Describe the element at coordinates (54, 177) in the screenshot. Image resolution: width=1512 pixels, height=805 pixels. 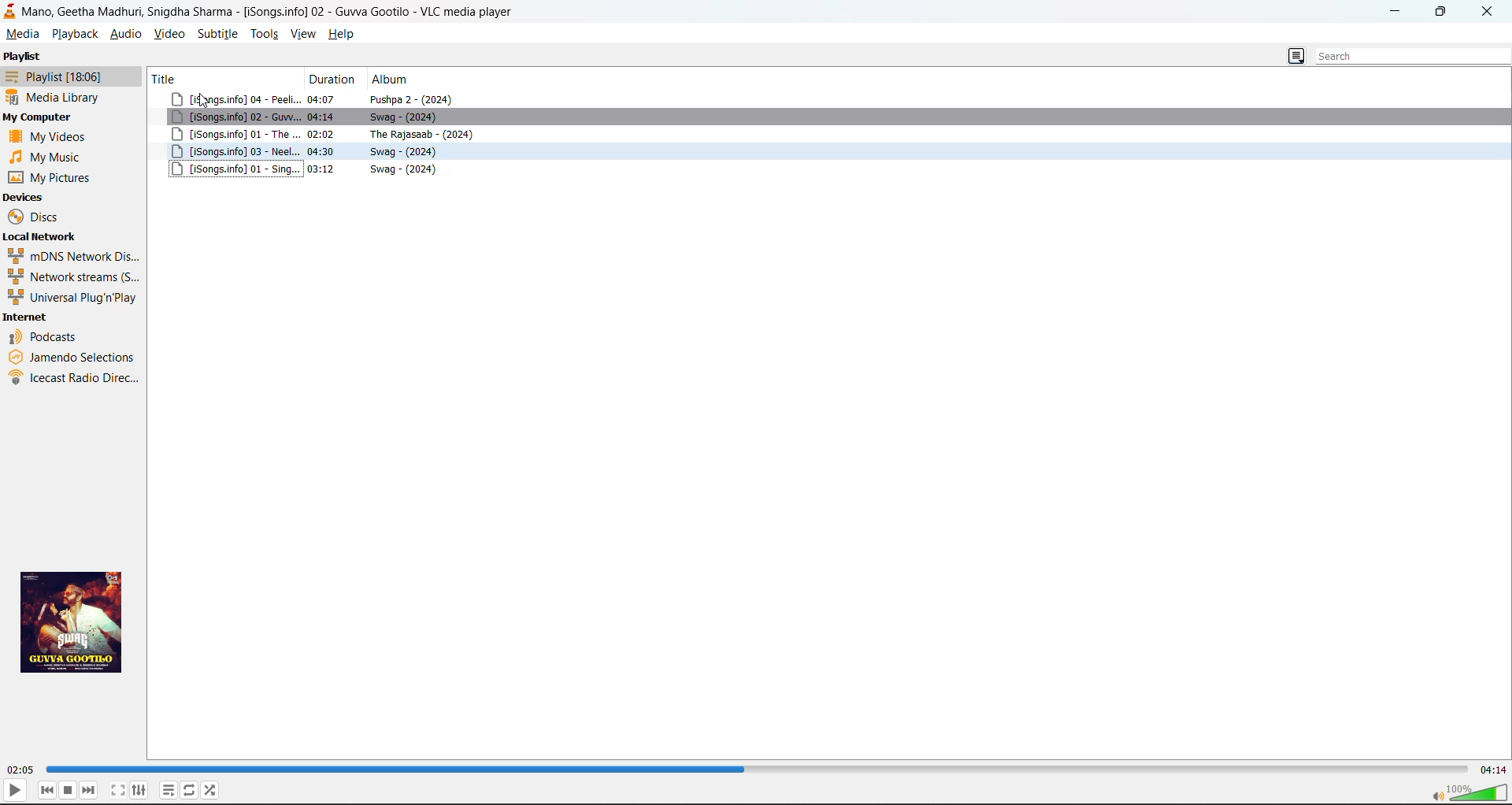
I see `pictures` at that location.